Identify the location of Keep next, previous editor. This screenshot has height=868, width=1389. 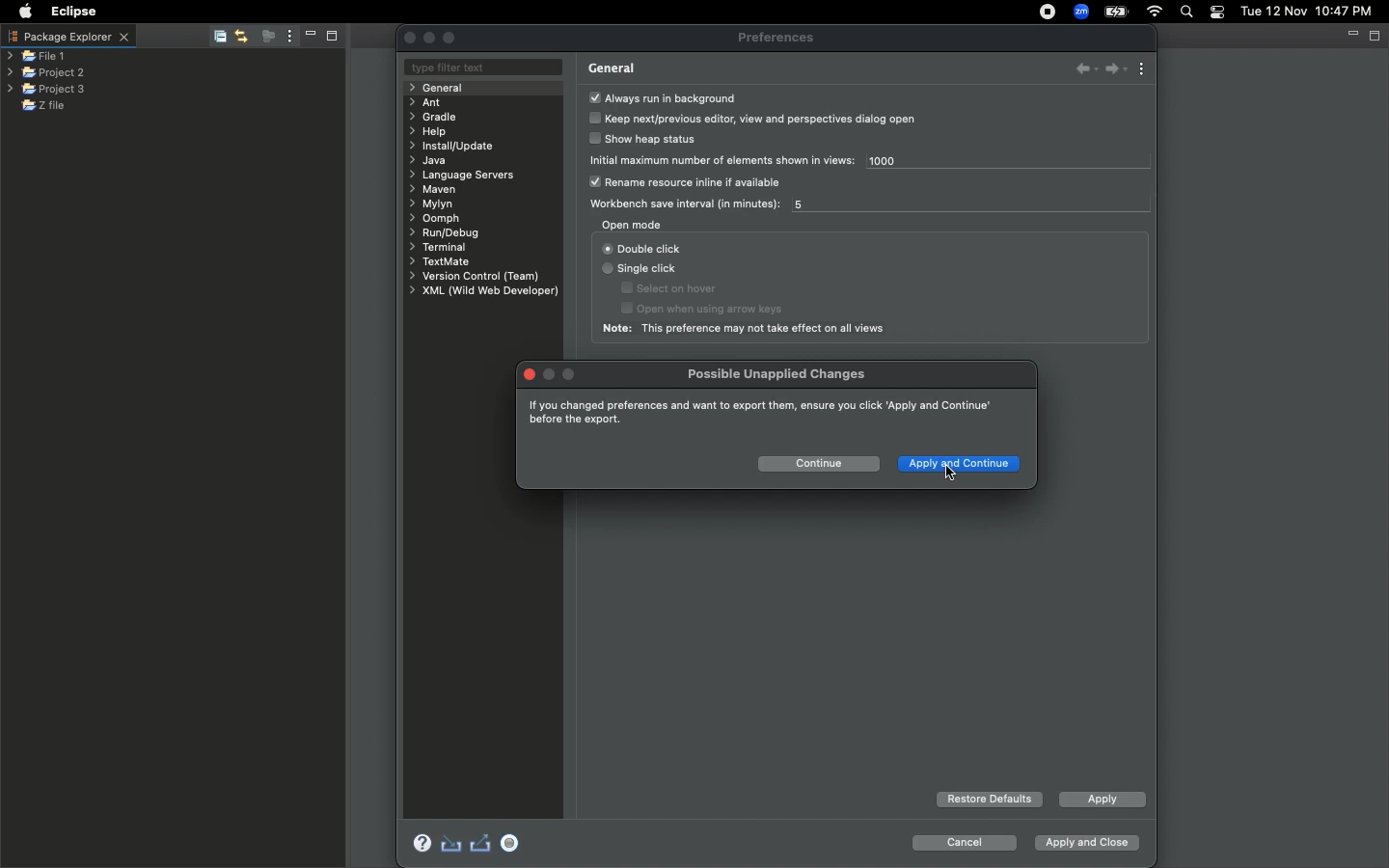
(754, 119).